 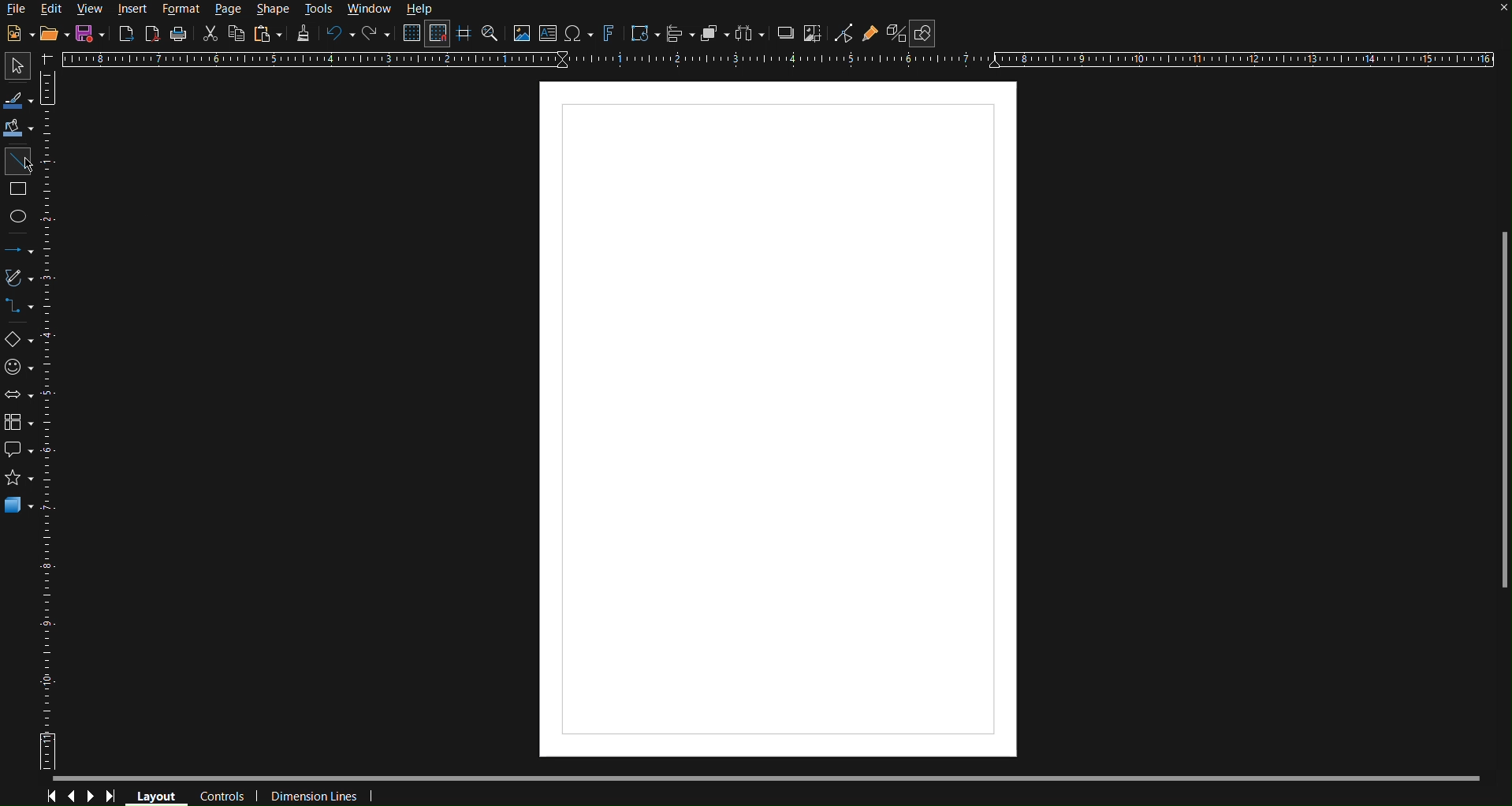 I want to click on Canvas, so click(x=774, y=418).